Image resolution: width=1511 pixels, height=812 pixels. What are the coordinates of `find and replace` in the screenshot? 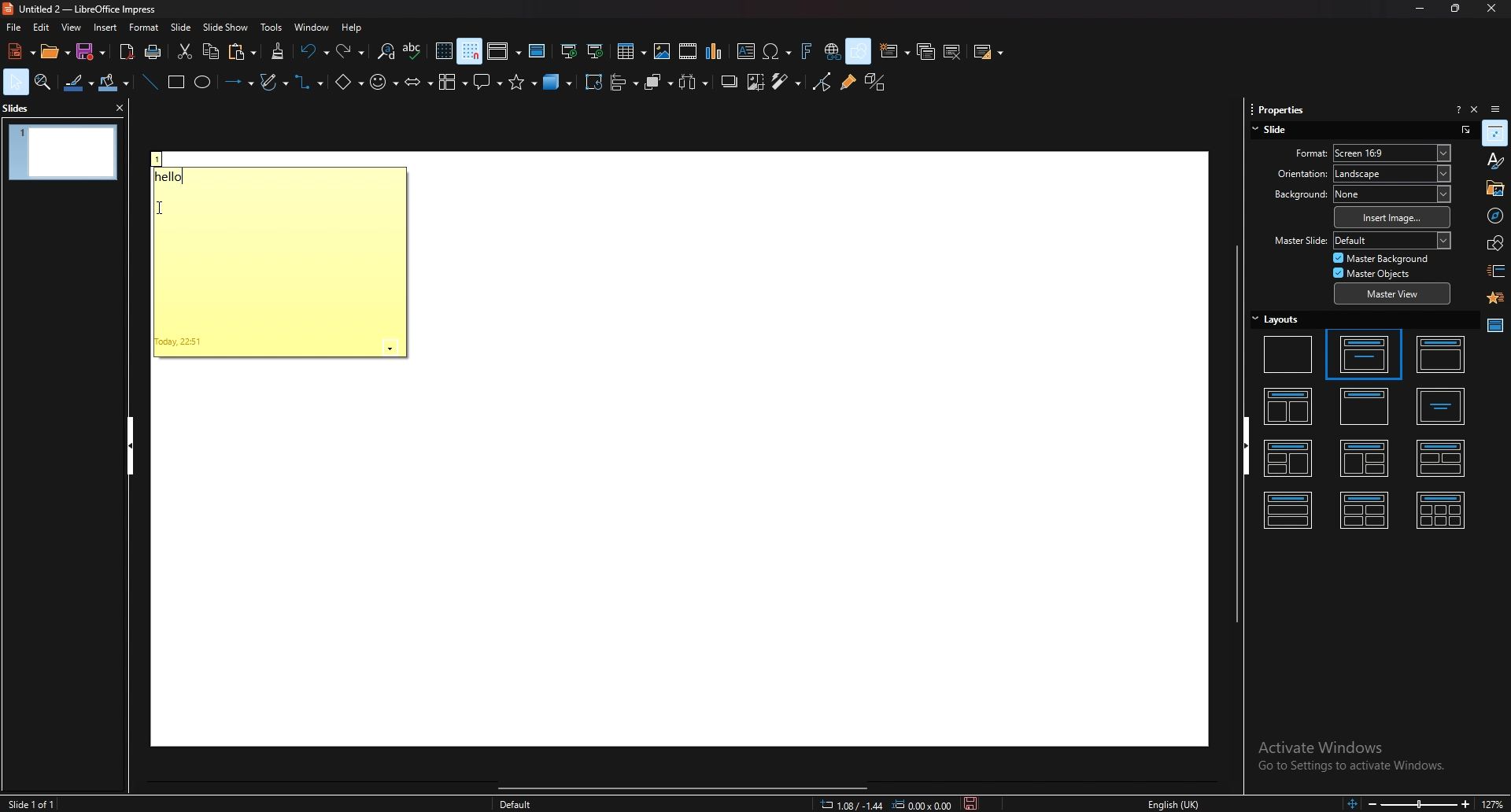 It's located at (385, 51).